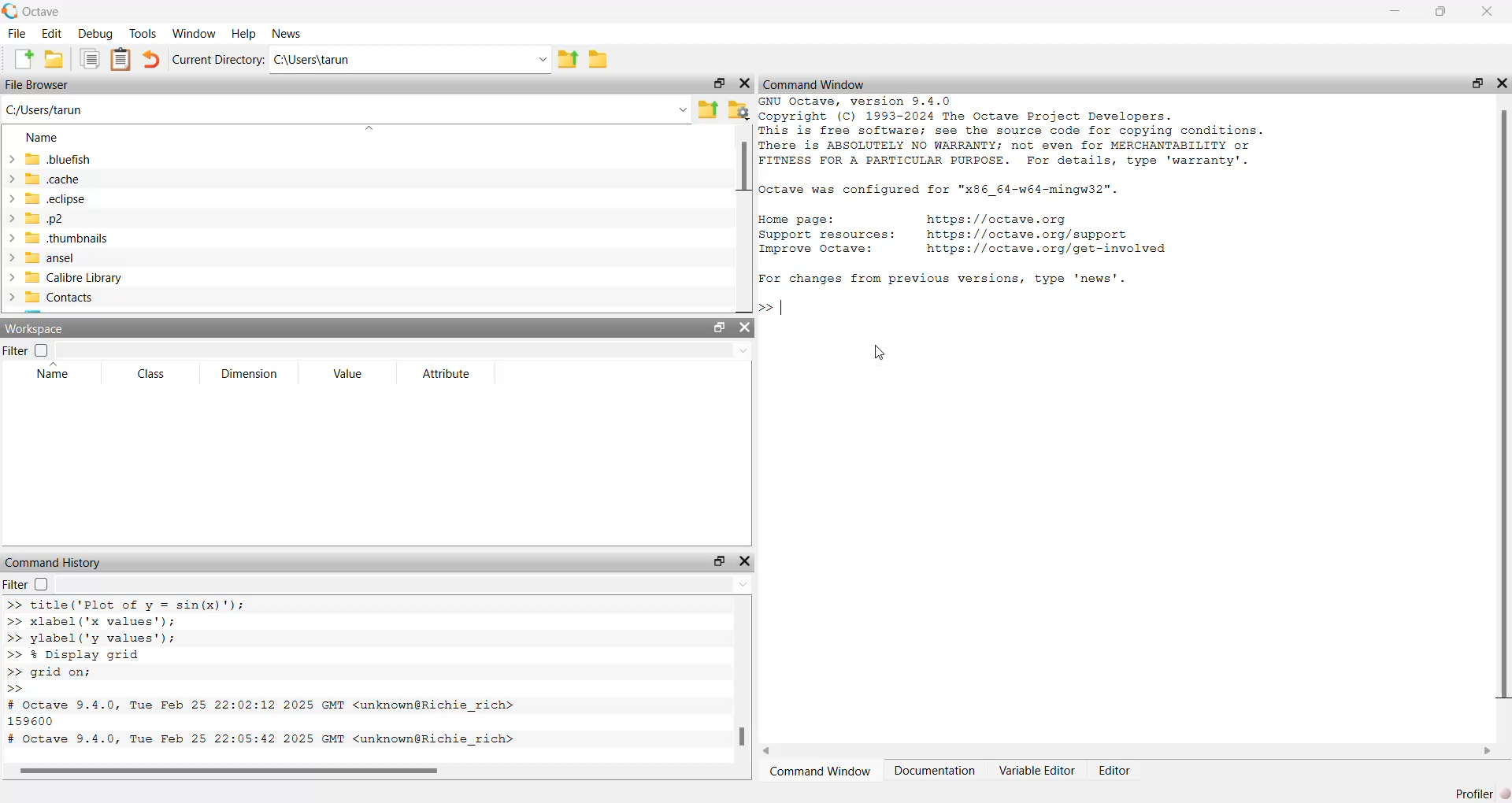 Image resolution: width=1512 pixels, height=803 pixels. Describe the element at coordinates (91, 58) in the screenshot. I see `documents` at that location.